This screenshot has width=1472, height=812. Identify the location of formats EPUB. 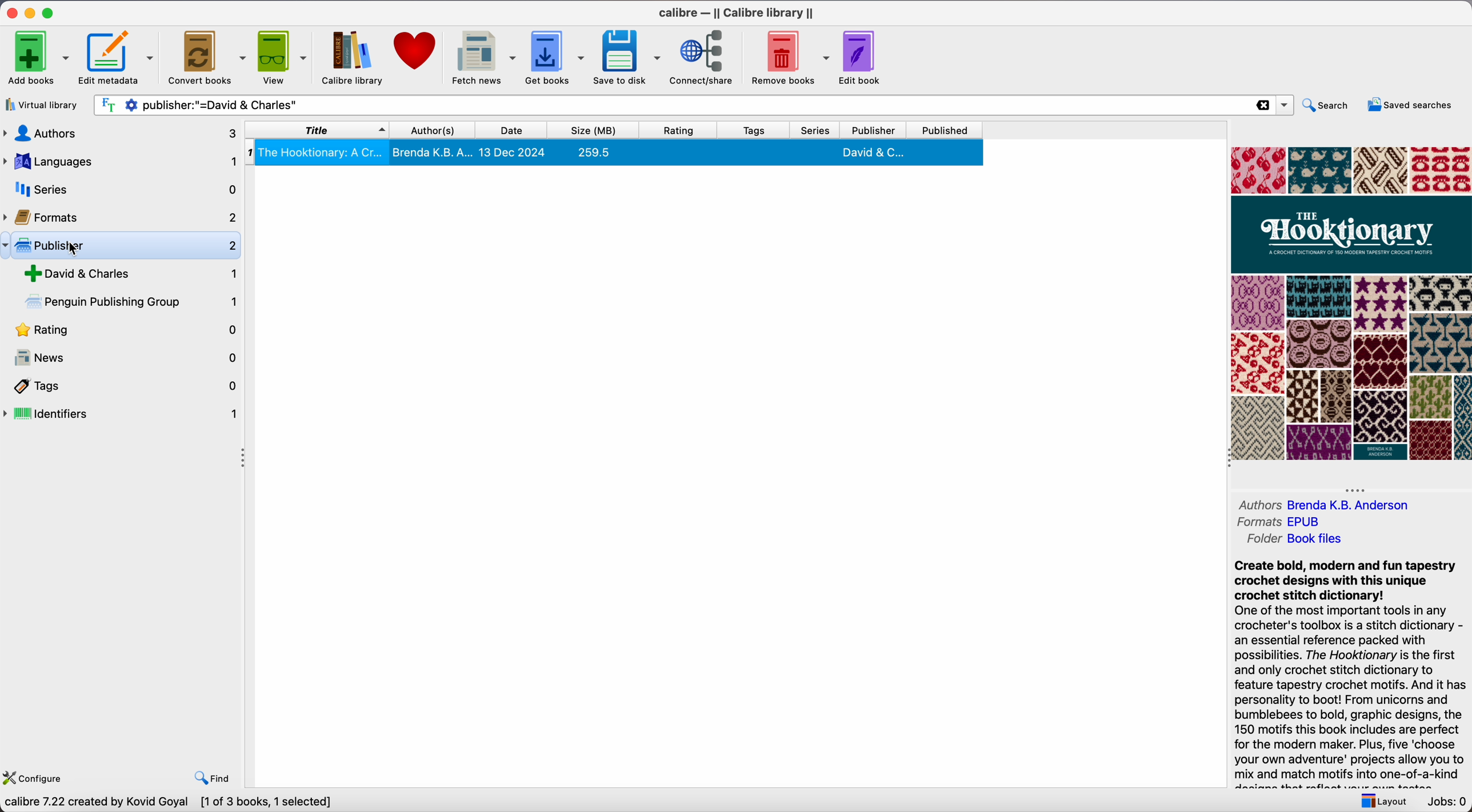
(1284, 521).